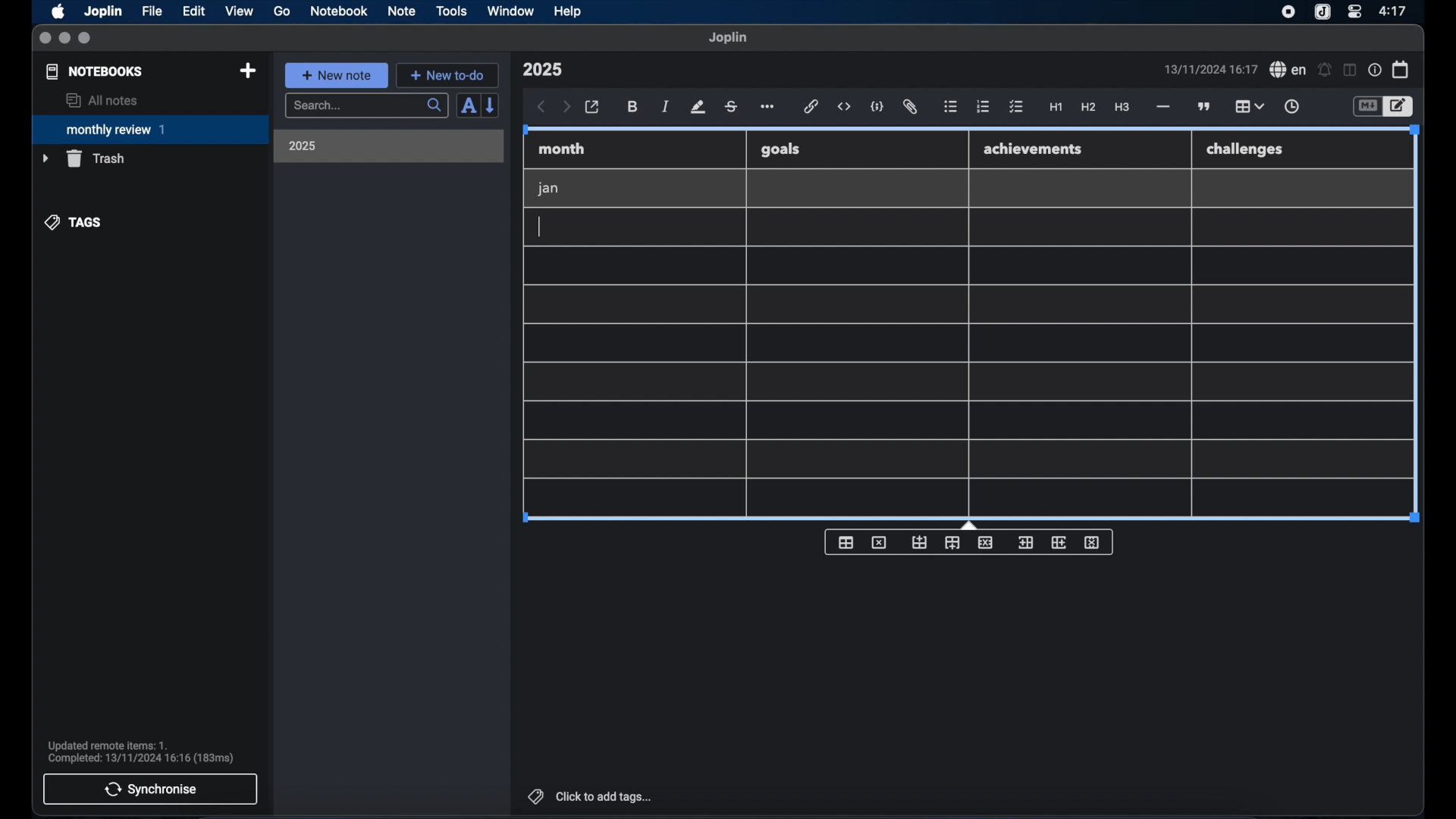 The image size is (1456, 819). What do you see at coordinates (1034, 149) in the screenshot?
I see `achievements` at bounding box center [1034, 149].